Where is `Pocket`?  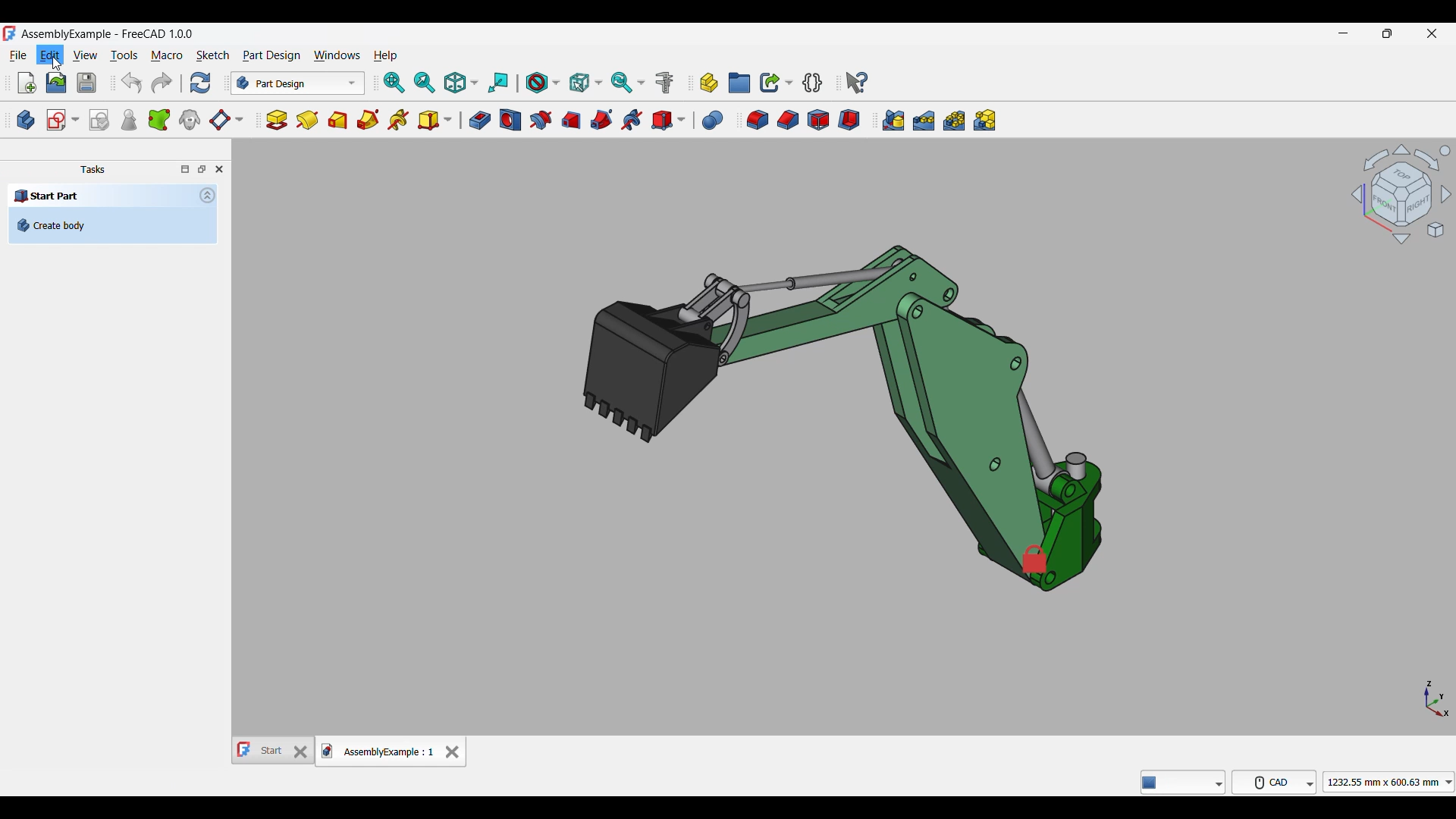 Pocket is located at coordinates (480, 121).